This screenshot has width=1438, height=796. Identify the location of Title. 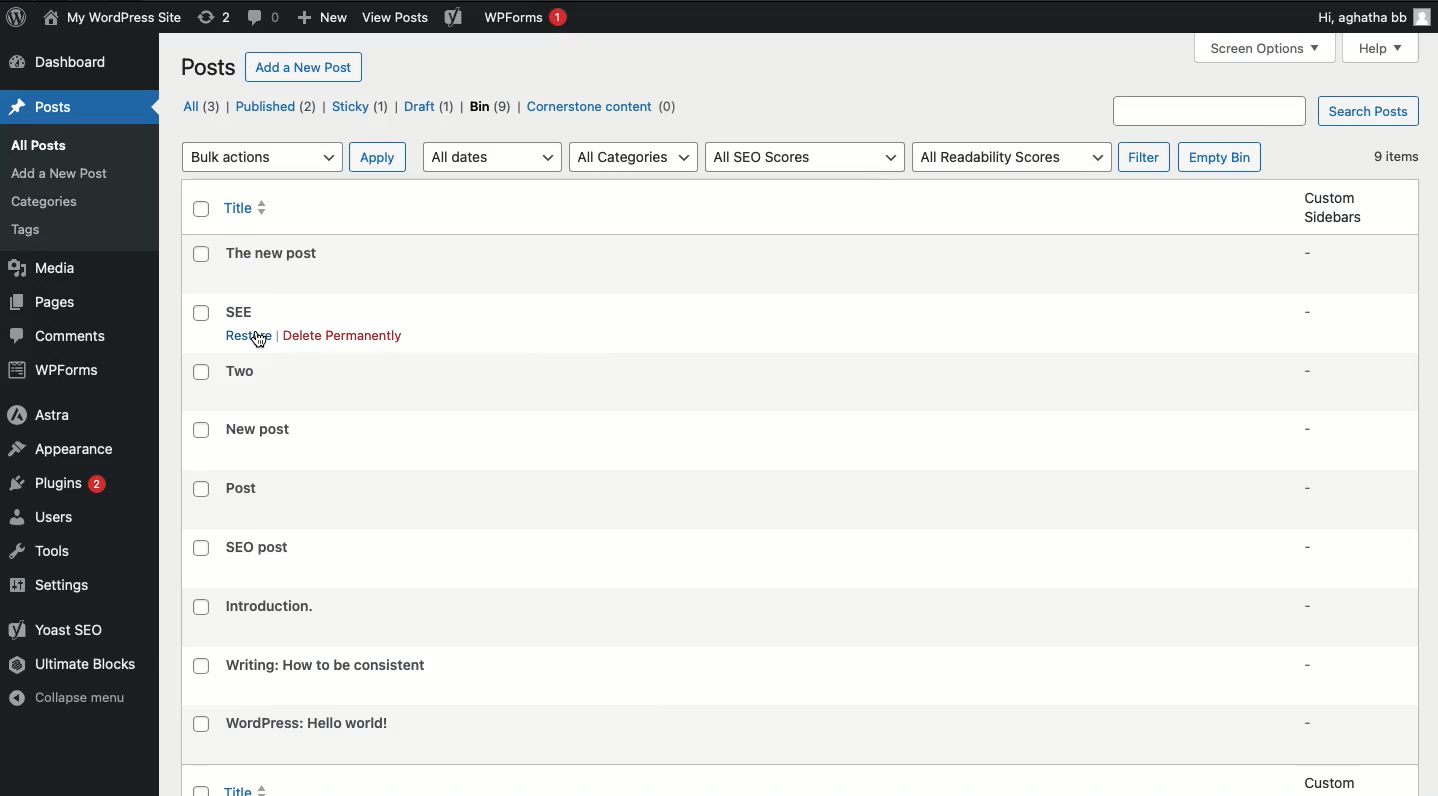
(327, 665).